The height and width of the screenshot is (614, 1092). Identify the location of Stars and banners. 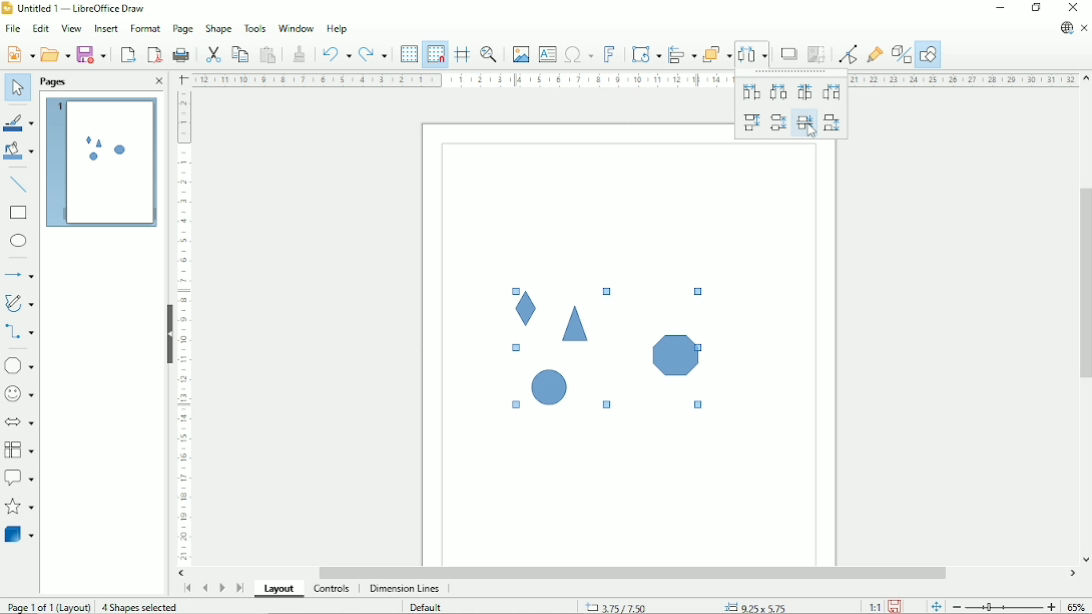
(21, 508).